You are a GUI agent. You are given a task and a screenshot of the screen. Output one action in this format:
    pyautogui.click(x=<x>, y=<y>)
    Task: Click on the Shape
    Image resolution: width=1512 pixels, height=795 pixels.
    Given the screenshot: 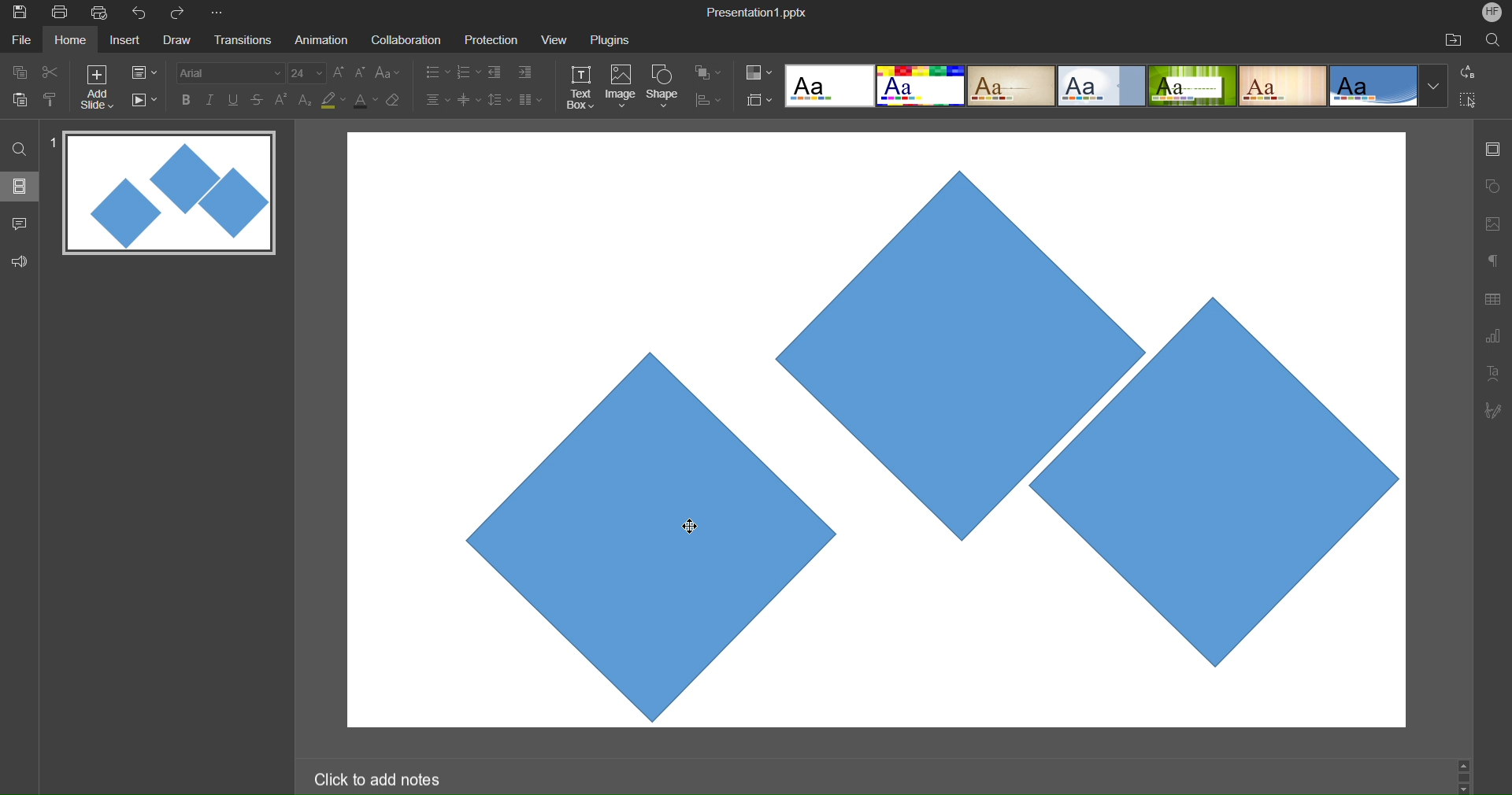 What is the action you would take?
    pyautogui.click(x=664, y=88)
    